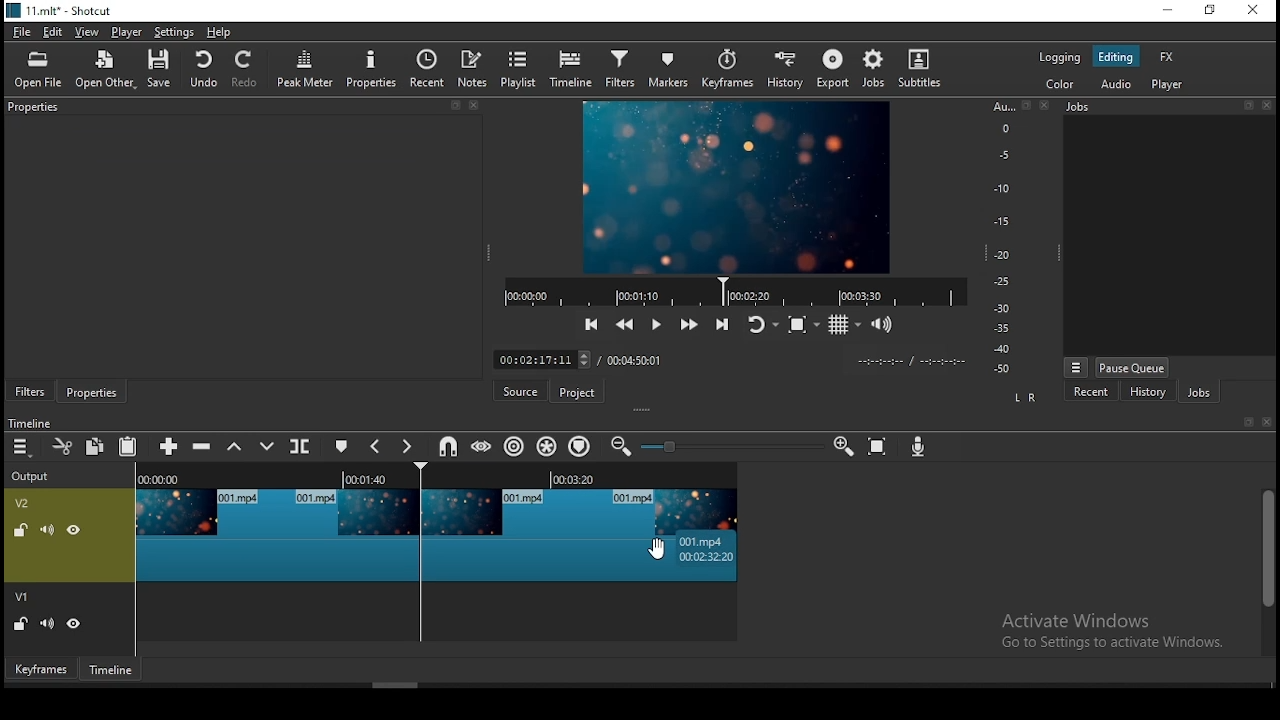  I want to click on toggle grid display on the player, so click(847, 324).